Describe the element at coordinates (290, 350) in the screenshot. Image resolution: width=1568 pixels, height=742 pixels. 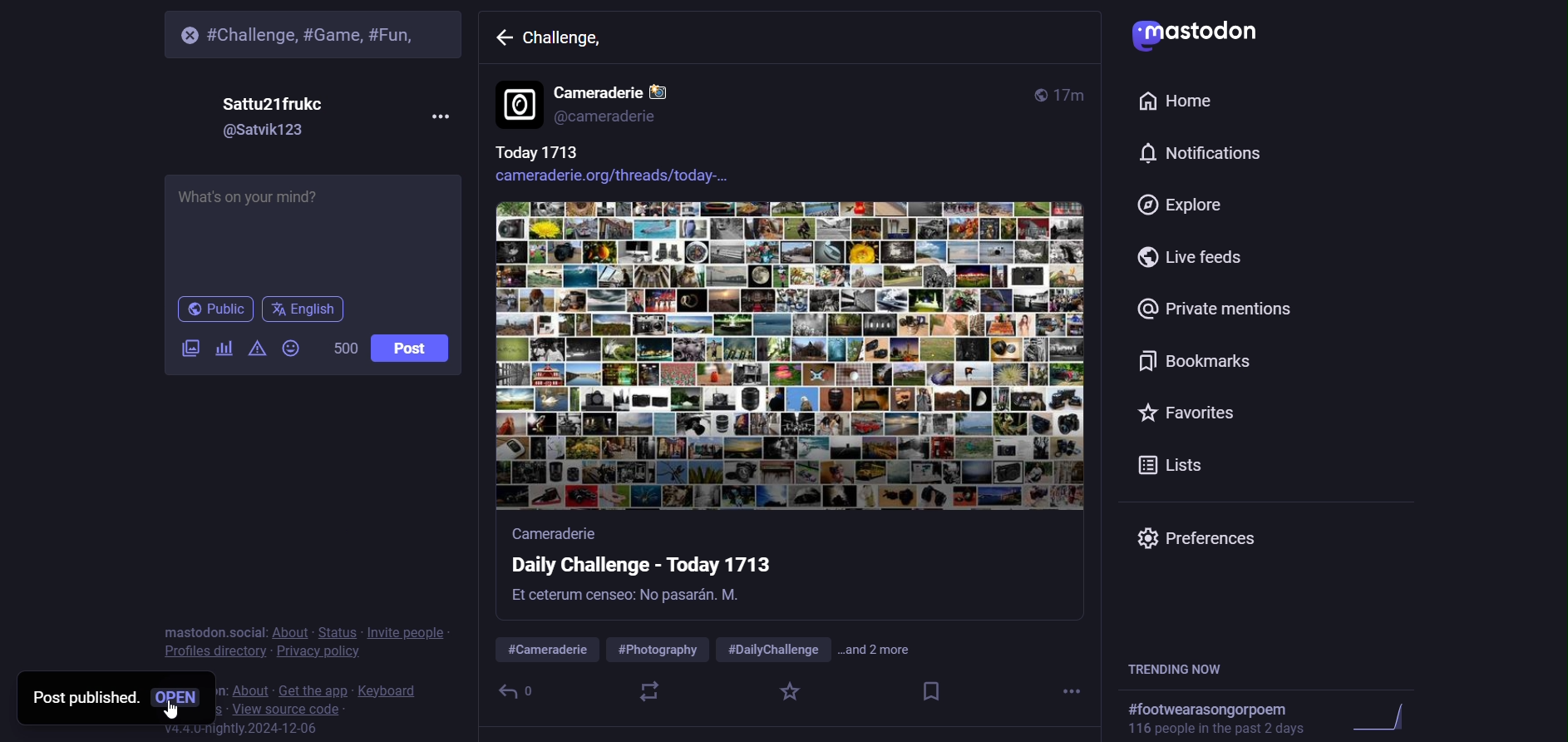
I see `emoji` at that location.